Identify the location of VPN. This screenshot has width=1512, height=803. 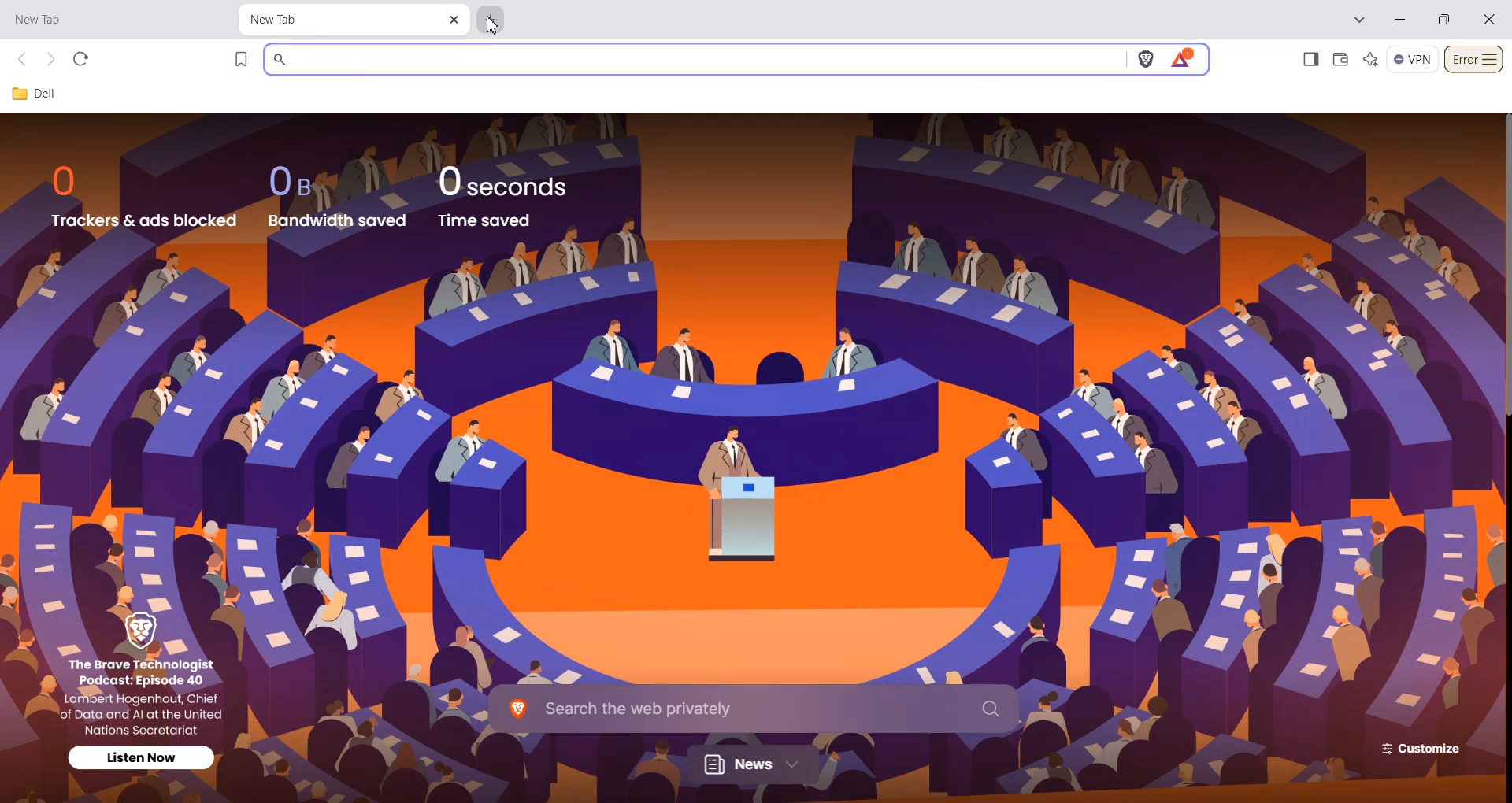
(1413, 60).